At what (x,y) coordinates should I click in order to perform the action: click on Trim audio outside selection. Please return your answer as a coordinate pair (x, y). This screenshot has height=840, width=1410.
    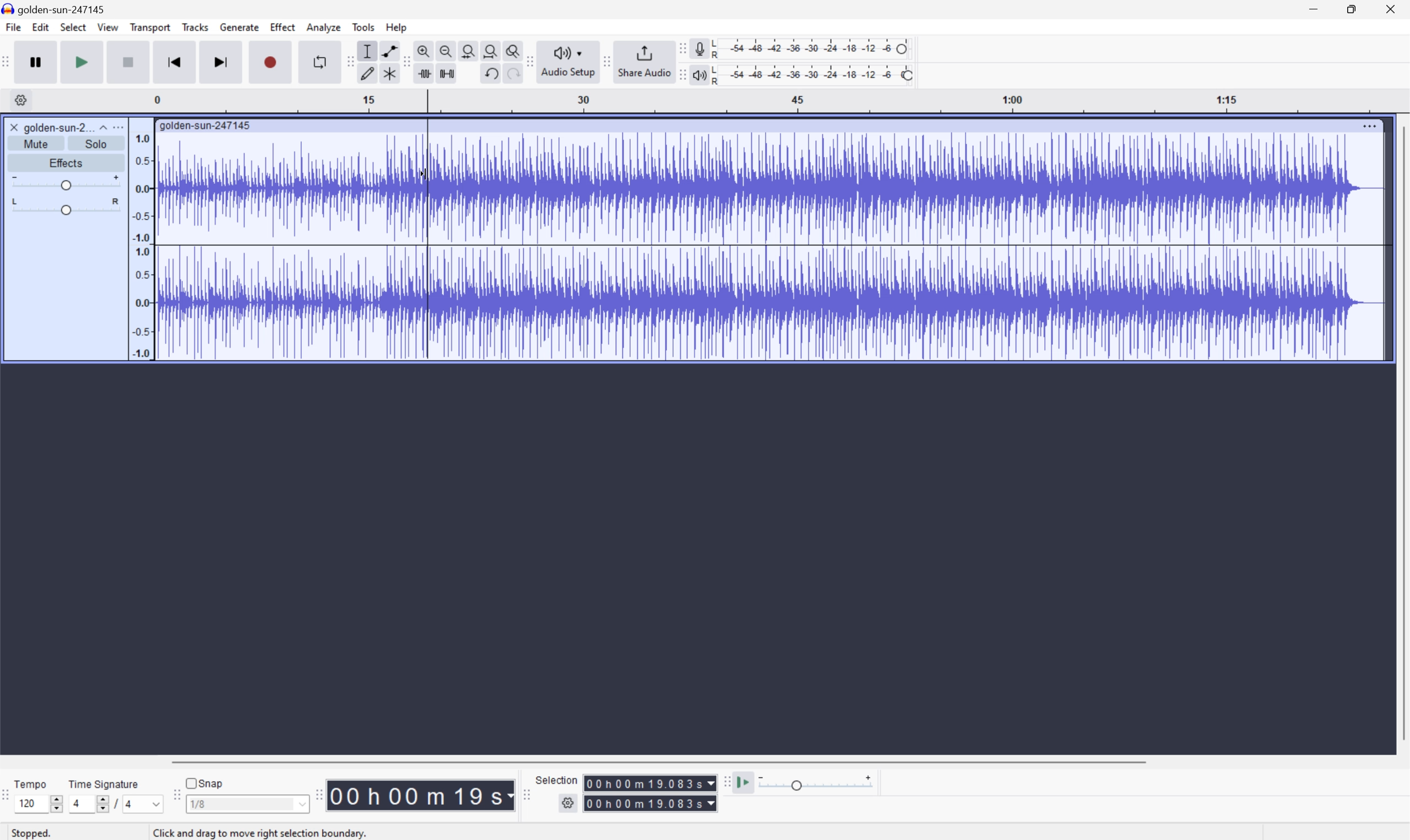
    Looking at the image, I should click on (422, 74).